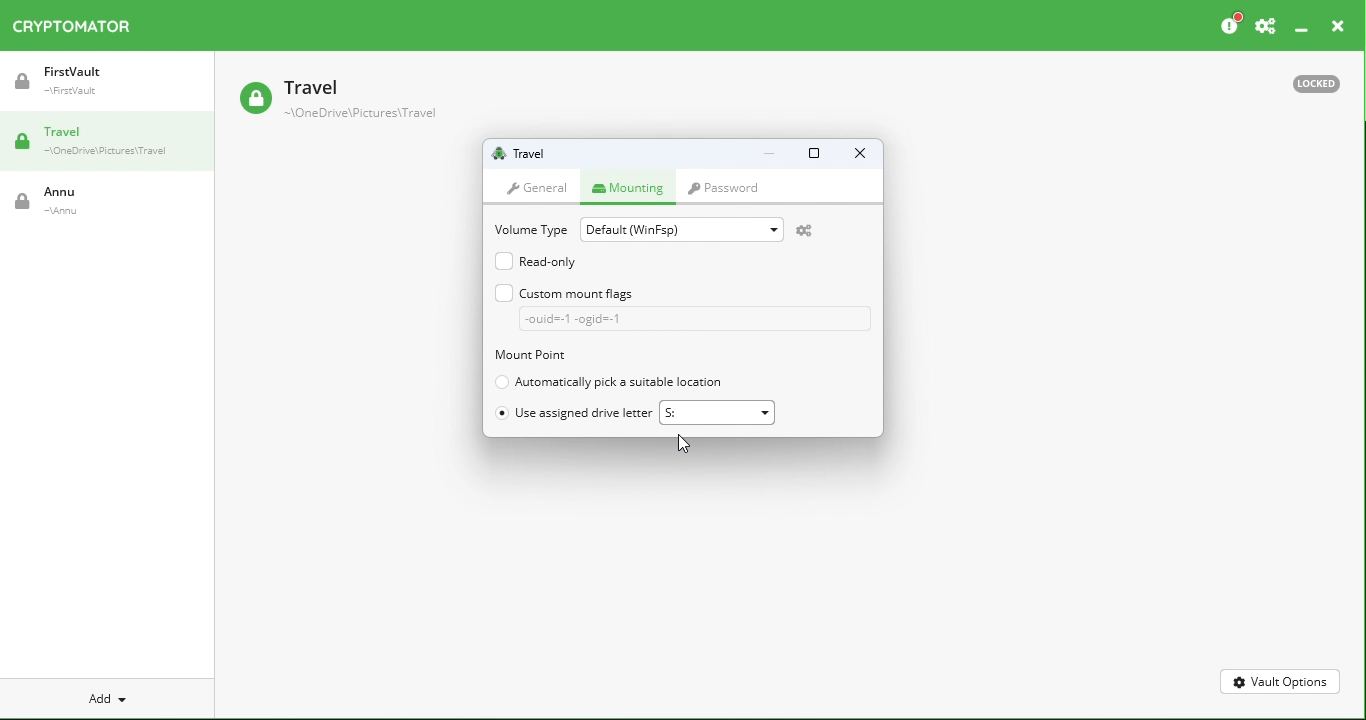 The image size is (1366, 720). I want to click on Preferences, so click(1265, 23).